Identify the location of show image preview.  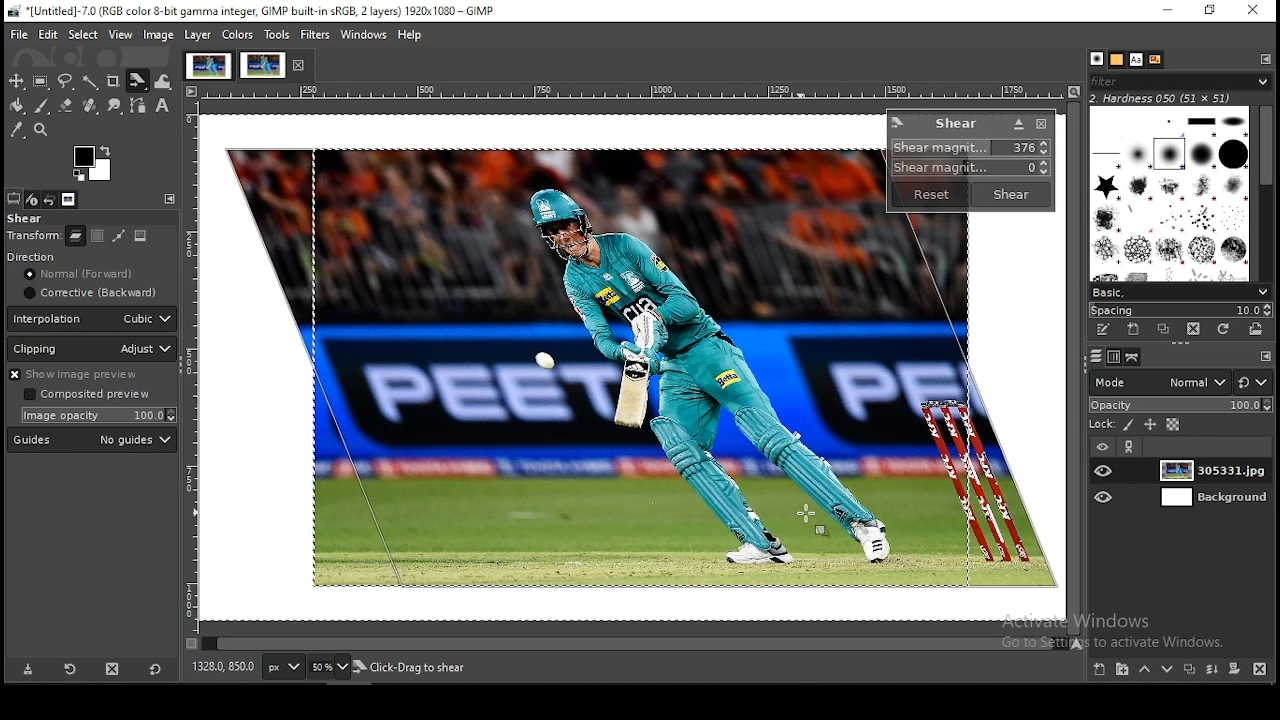
(88, 375).